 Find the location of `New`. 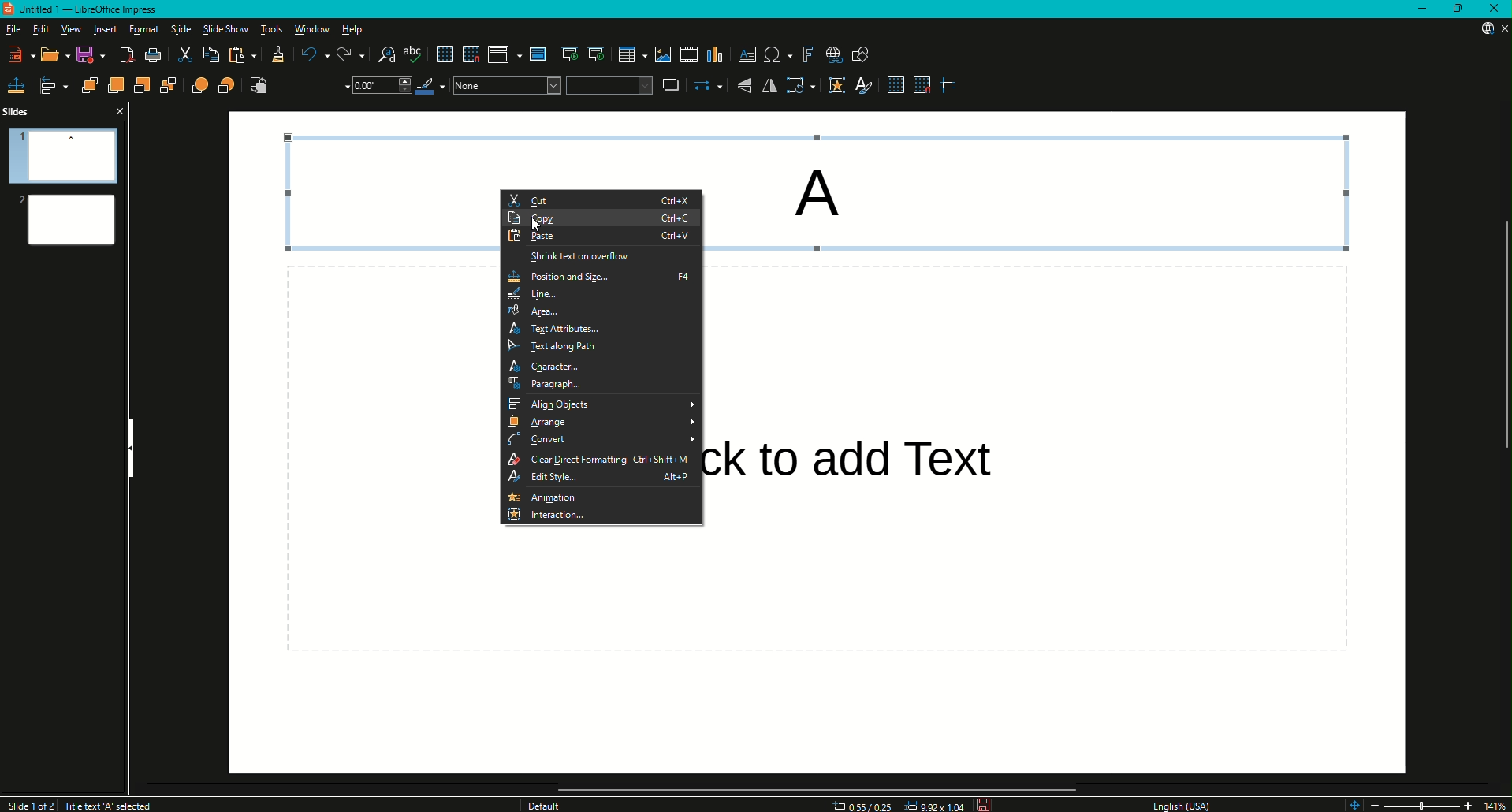

New is located at coordinates (18, 55).